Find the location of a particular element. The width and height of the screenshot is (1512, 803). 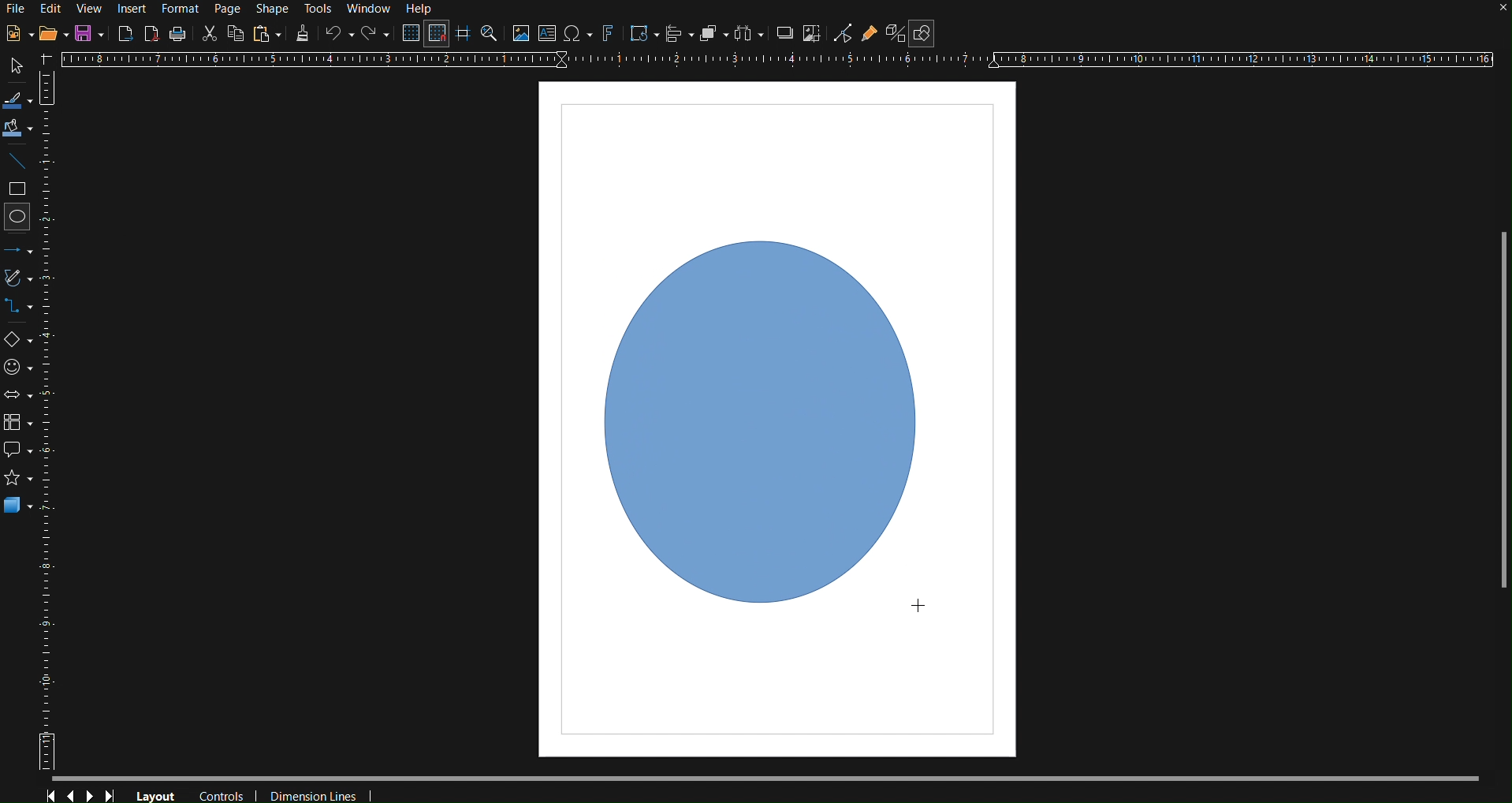

Scrollbar is located at coordinates (780, 777).